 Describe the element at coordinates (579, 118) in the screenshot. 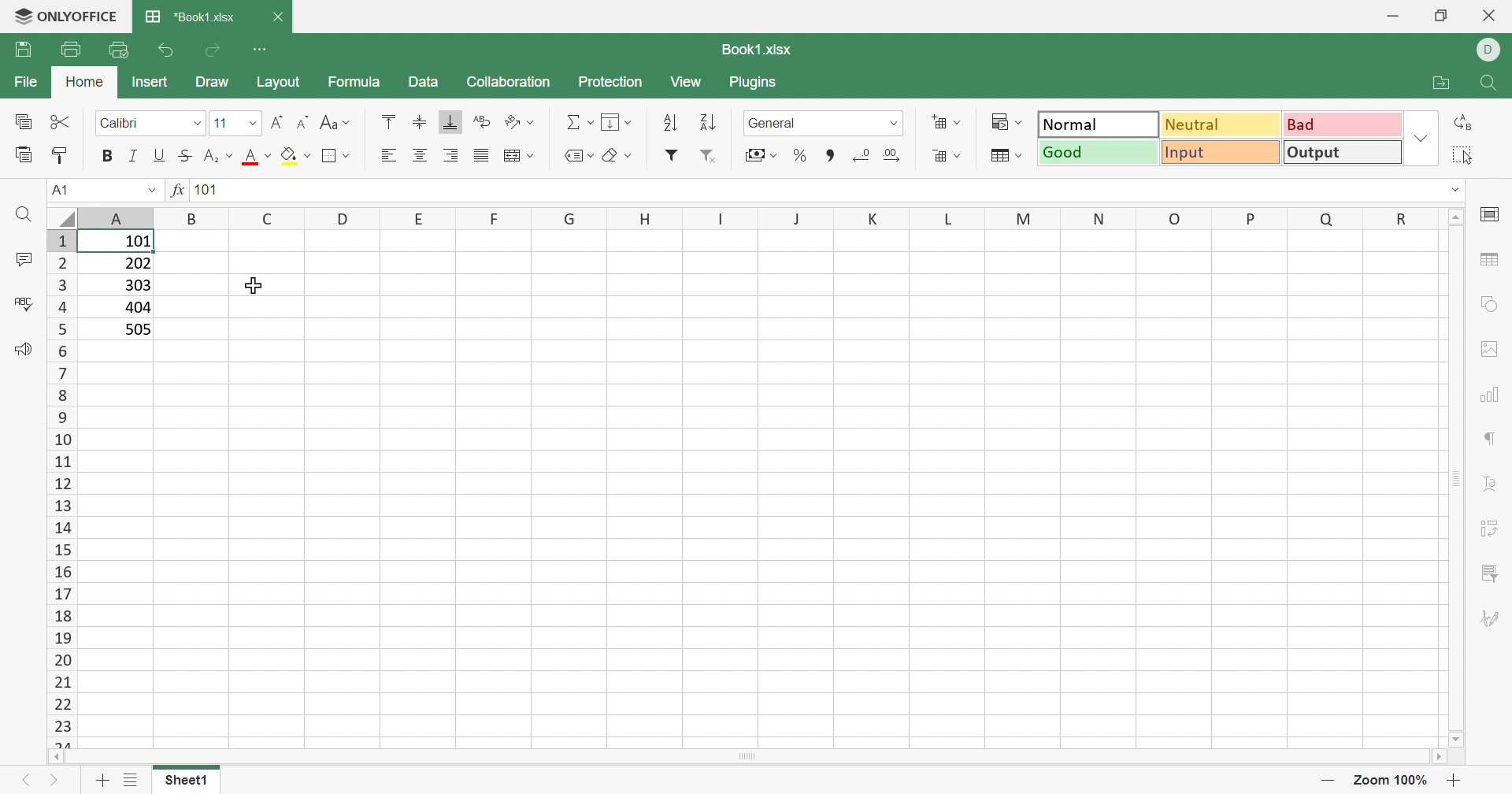

I see `Summation` at that location.